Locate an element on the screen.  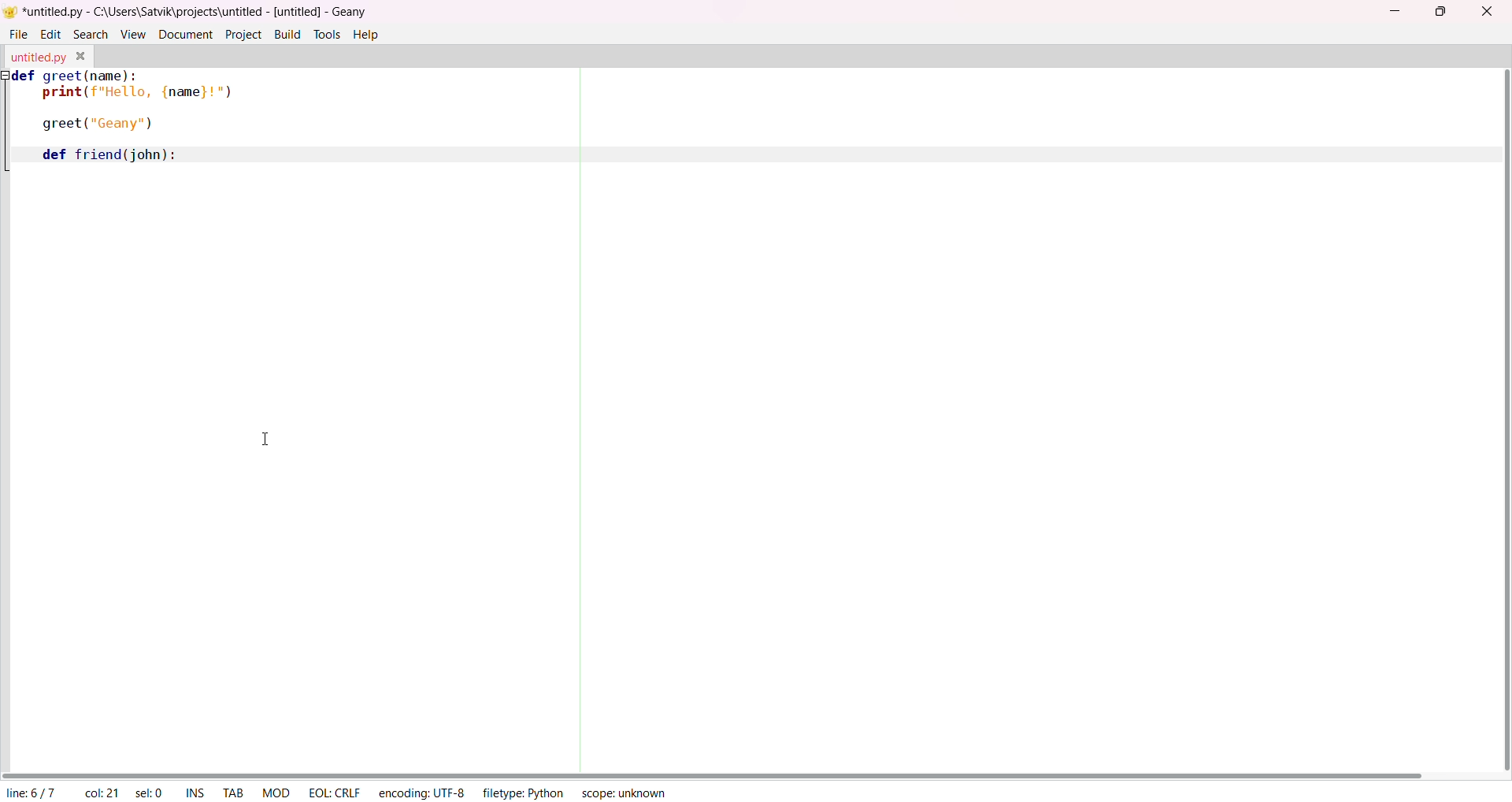
TAB is located at coordinates (231, 790).